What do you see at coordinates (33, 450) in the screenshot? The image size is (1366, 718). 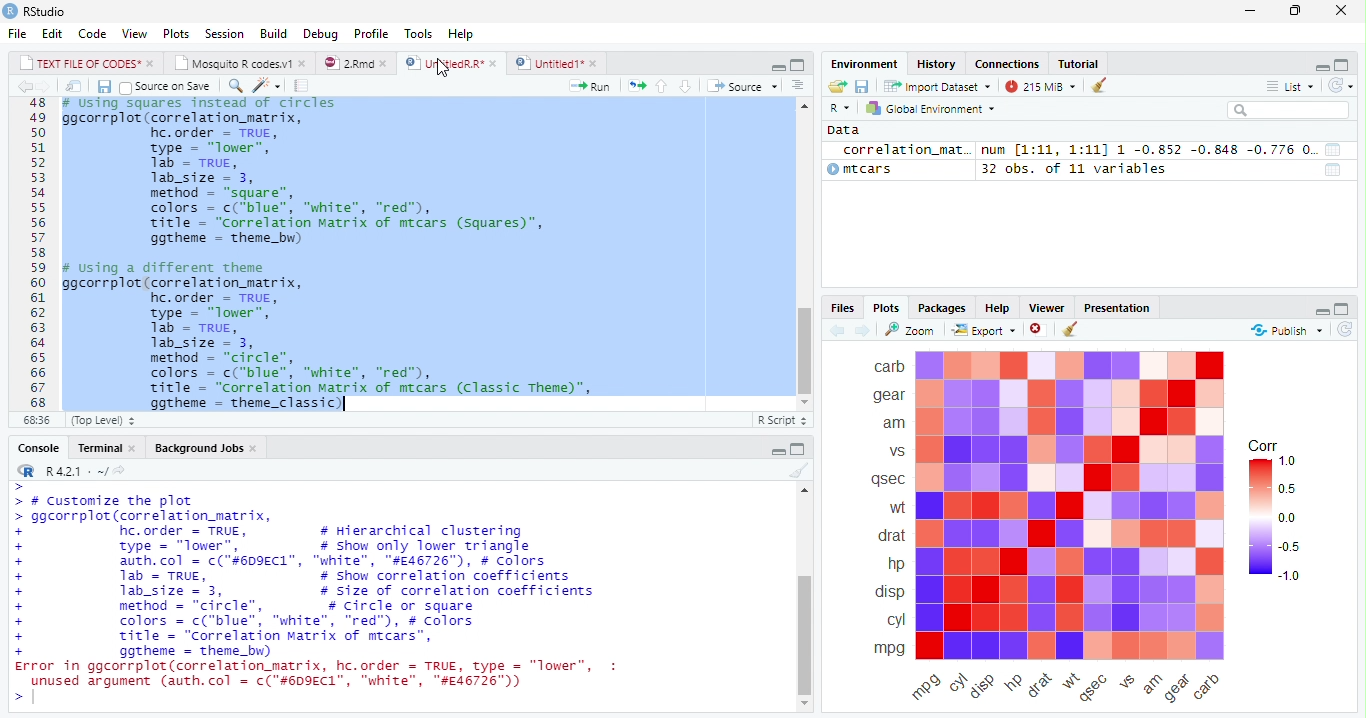 I see `‘Console` at bounding box center [33, 450].